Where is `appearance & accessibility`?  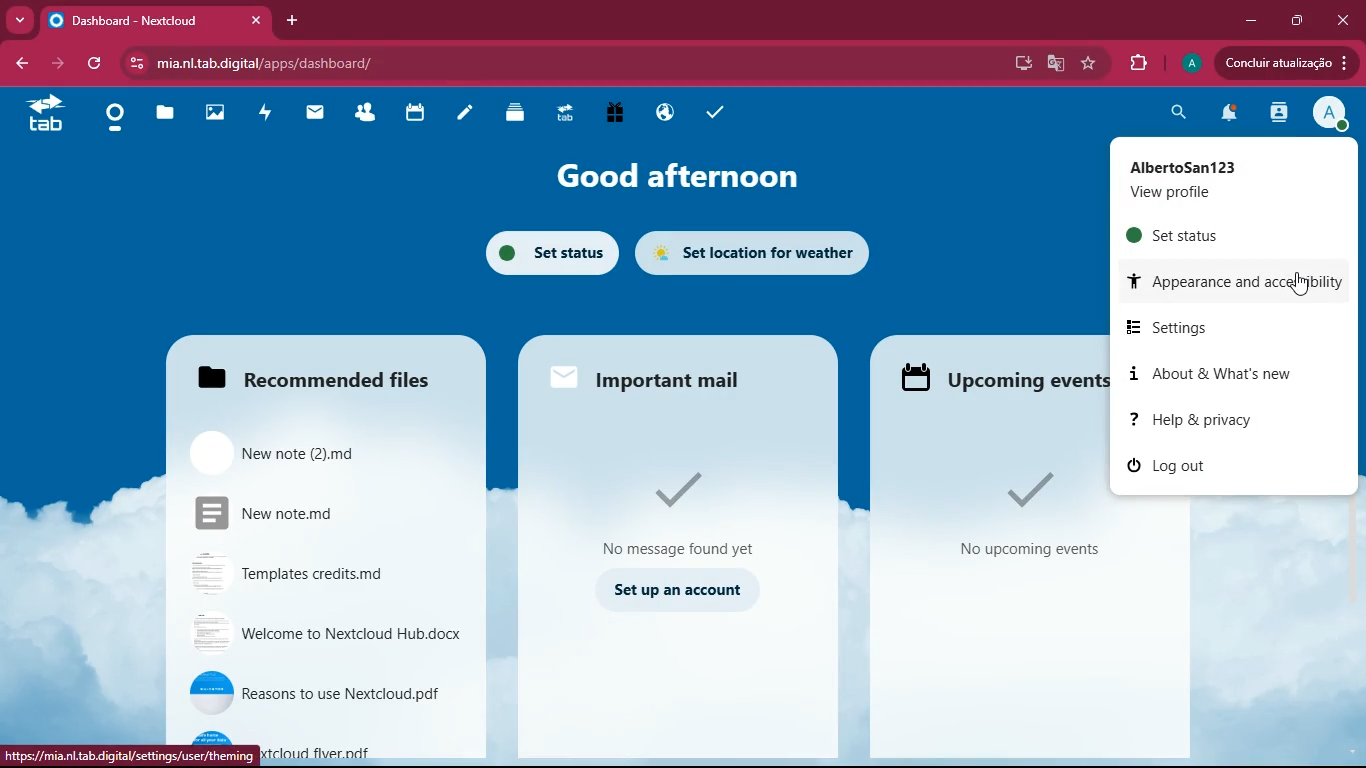 appearance & accessibility is located at coordinates (1234, 281).